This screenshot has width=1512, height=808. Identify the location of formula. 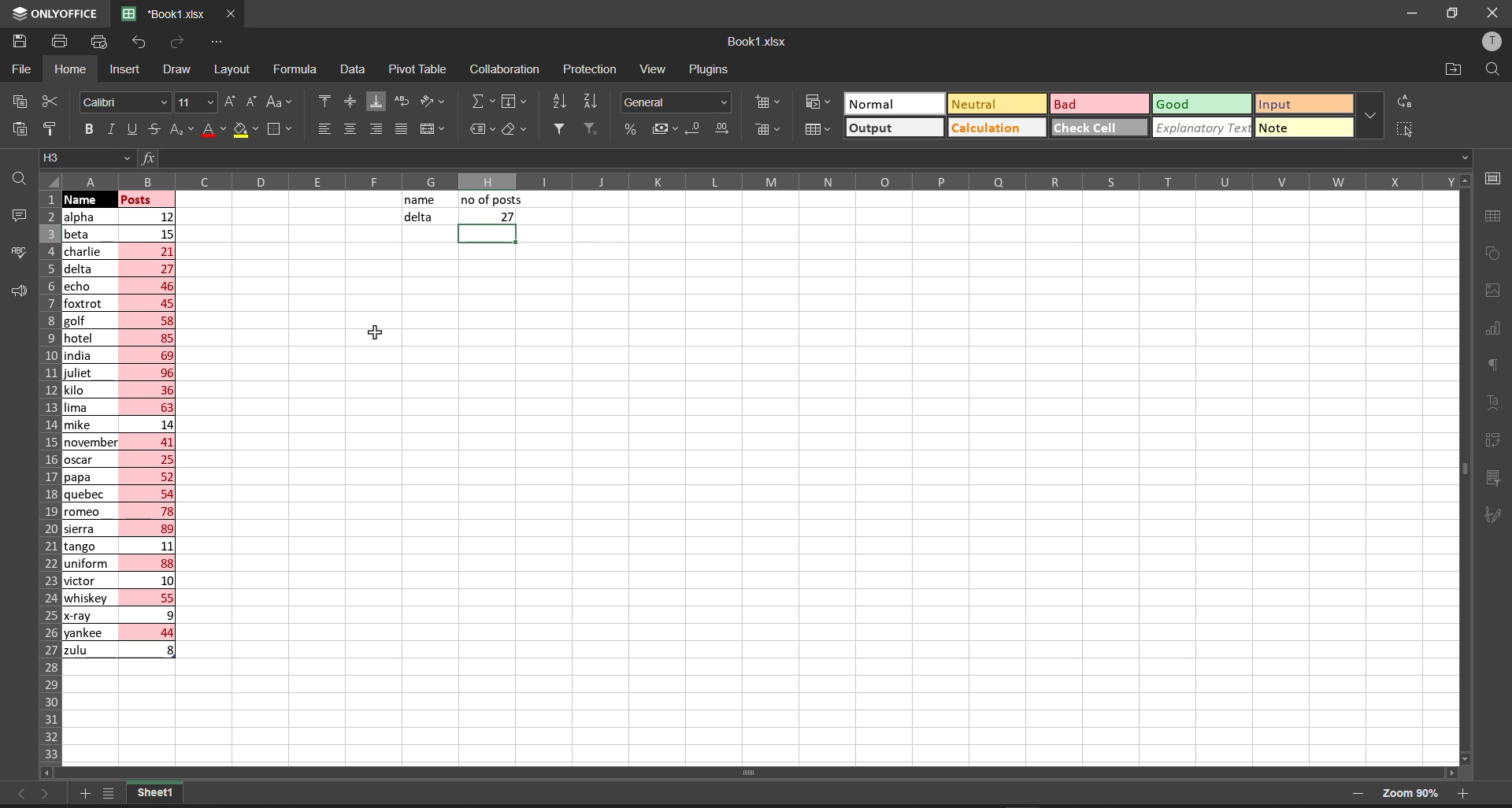
(146, 158).